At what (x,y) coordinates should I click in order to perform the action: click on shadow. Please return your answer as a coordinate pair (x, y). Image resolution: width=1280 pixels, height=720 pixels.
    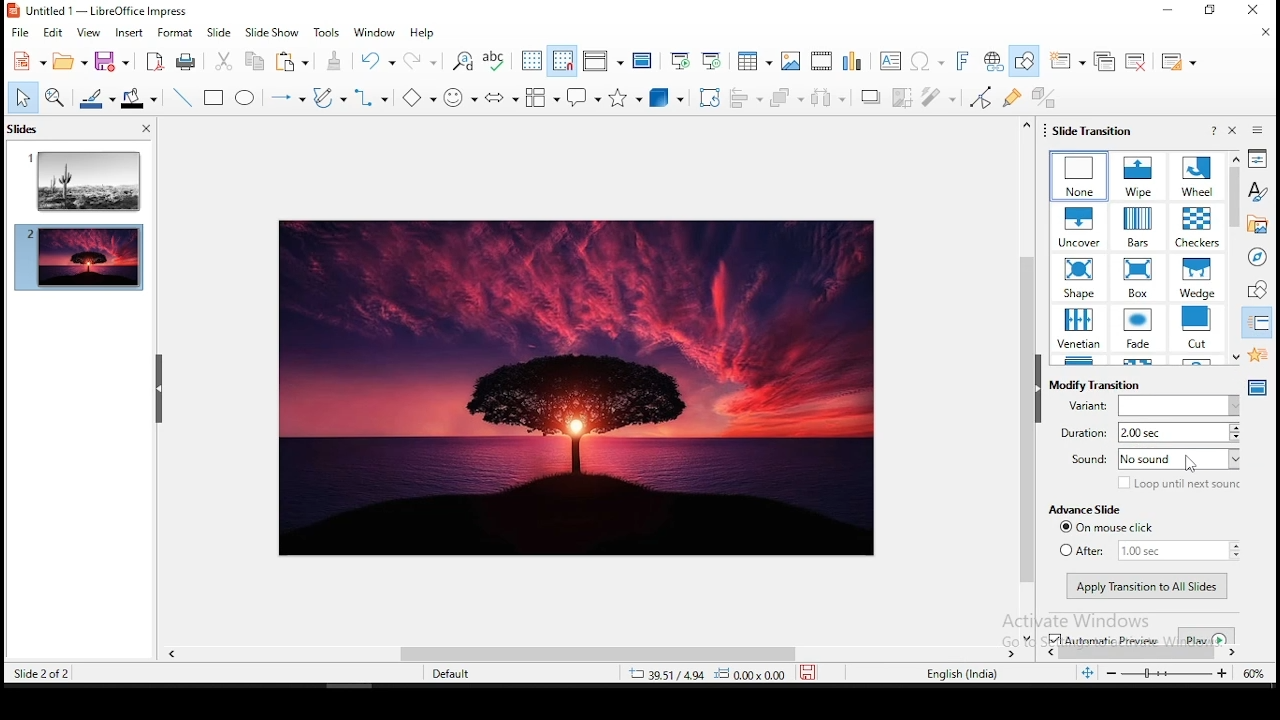
    Looking at the image, I should click on (870, 97).